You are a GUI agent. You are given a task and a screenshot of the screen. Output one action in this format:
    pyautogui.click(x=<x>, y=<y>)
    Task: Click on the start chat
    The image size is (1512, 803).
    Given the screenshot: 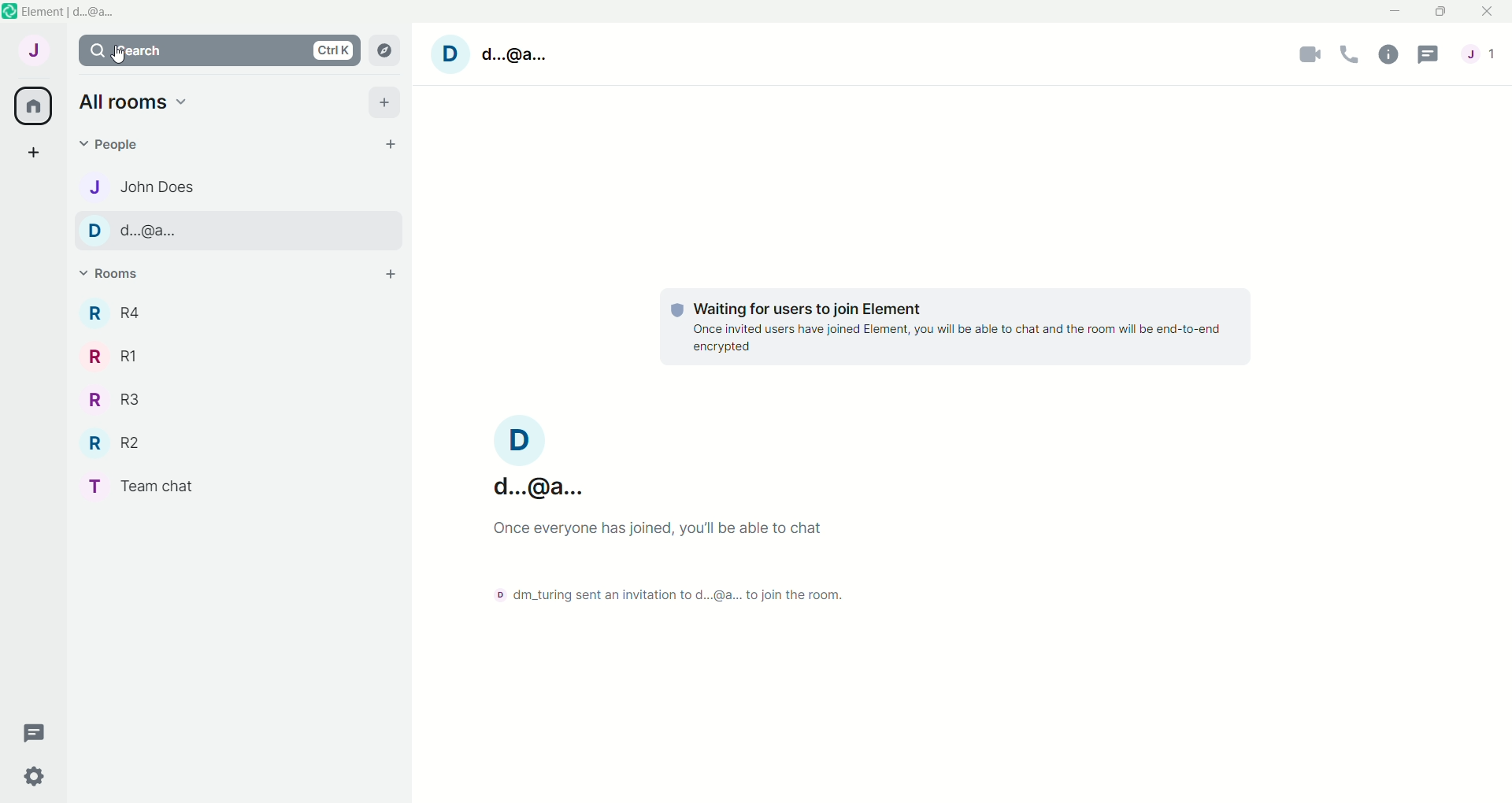 What is the action you would take?
    pyautogui.click(x=384, y=146)
    